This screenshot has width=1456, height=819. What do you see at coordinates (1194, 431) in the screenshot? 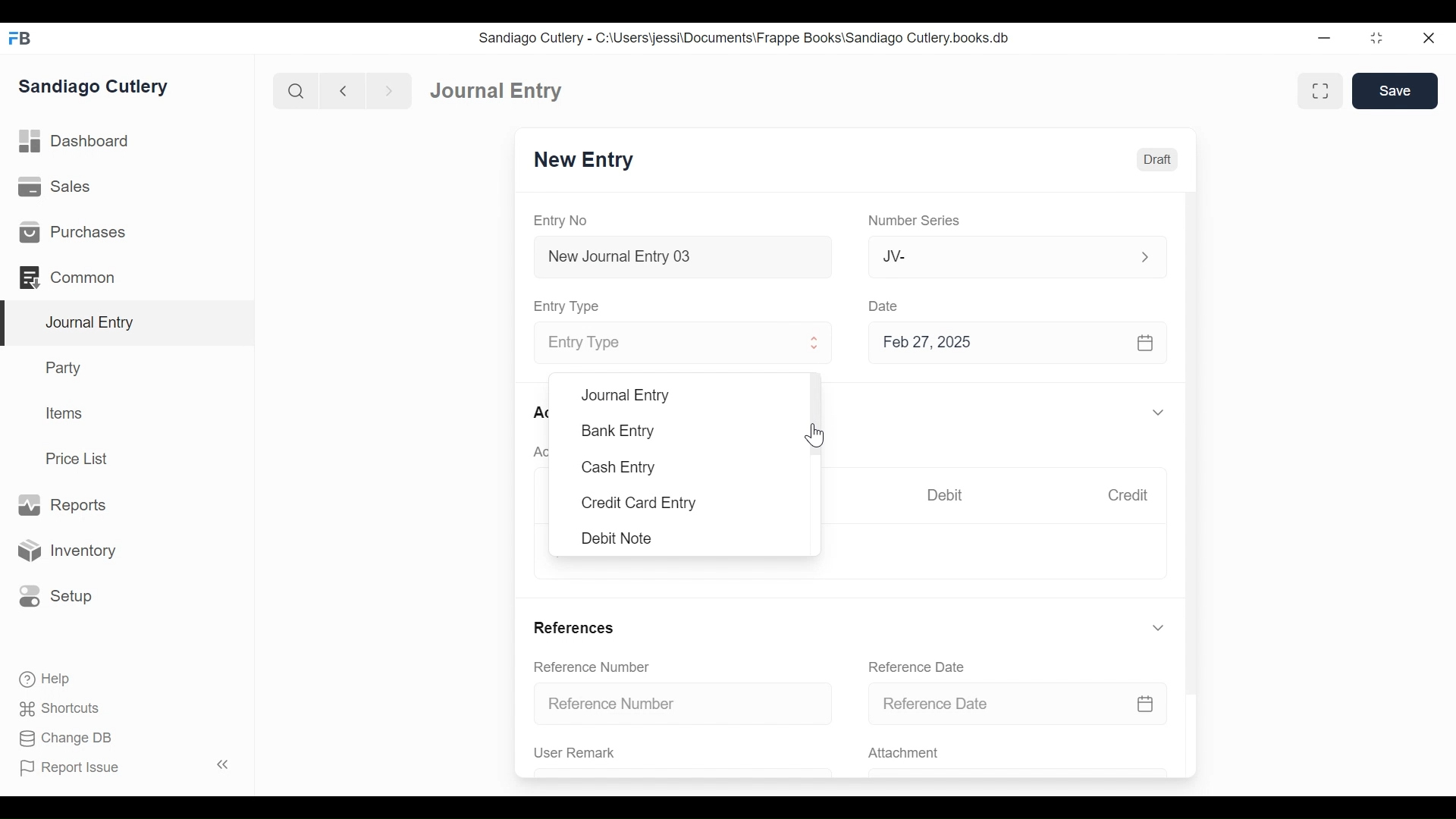
I see `Vertical Scroll bar` at bounding box center [1194, 431].